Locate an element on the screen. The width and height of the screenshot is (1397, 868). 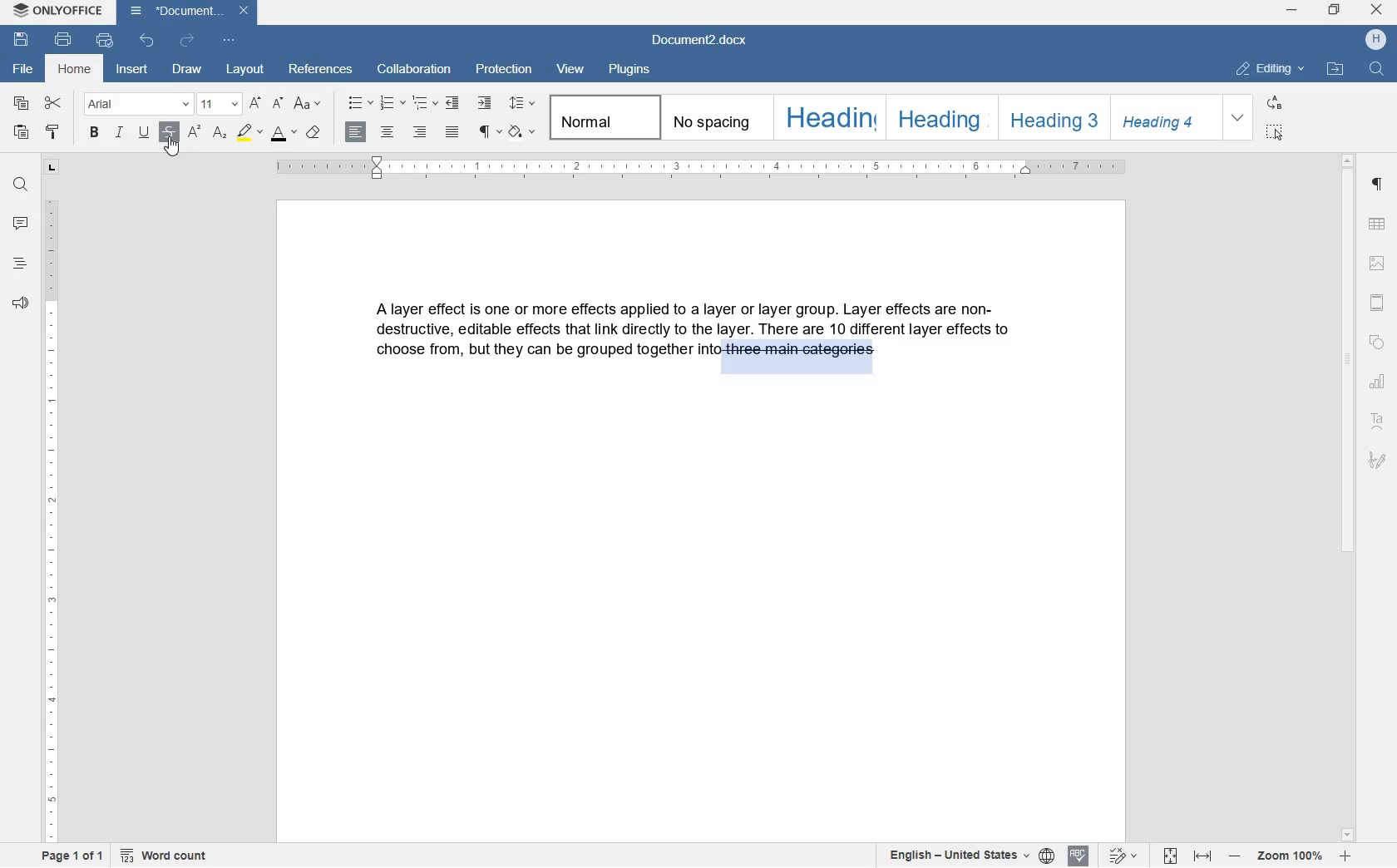
scrollbar is located at coordinates (1348, 496).